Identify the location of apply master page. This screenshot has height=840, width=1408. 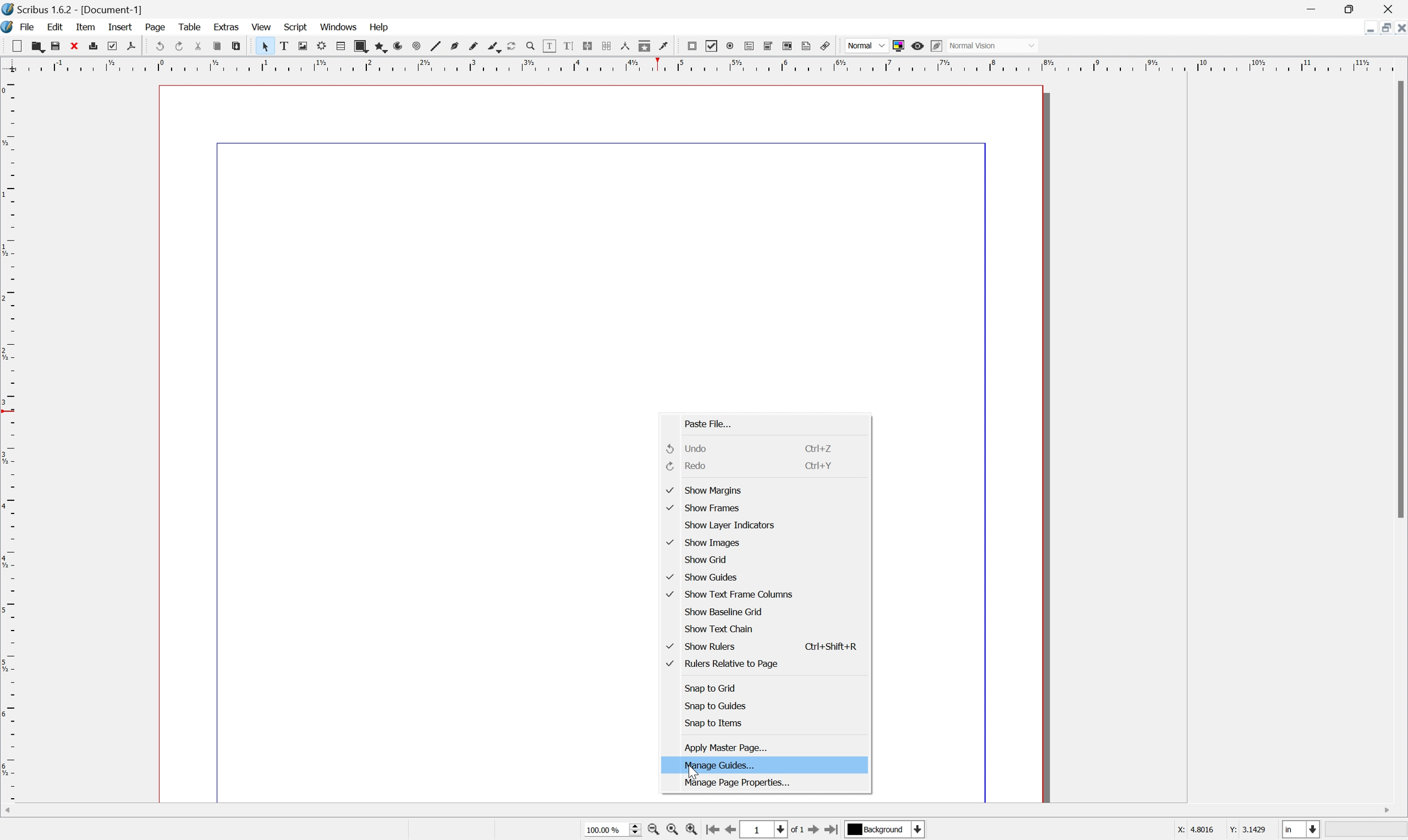
(727, 749).